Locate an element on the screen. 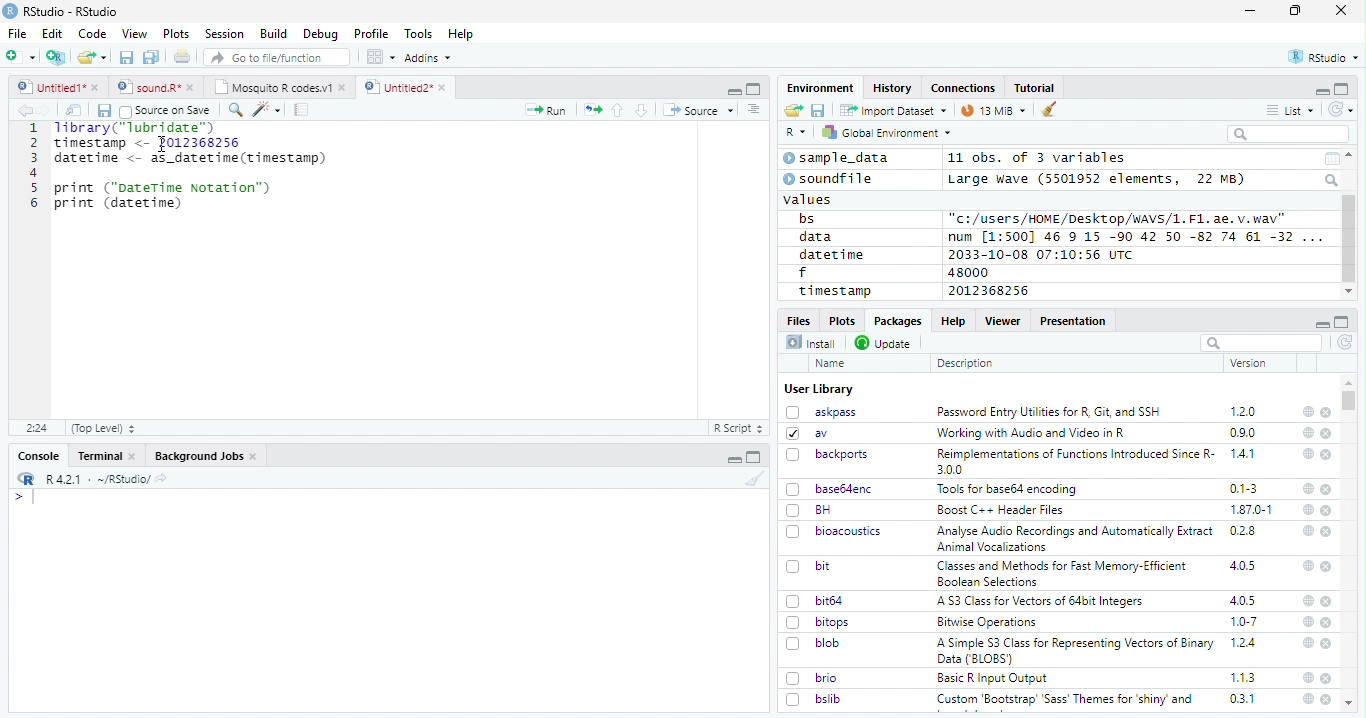 The image size is (1366, 718). File is located at coordinates (16, 33).